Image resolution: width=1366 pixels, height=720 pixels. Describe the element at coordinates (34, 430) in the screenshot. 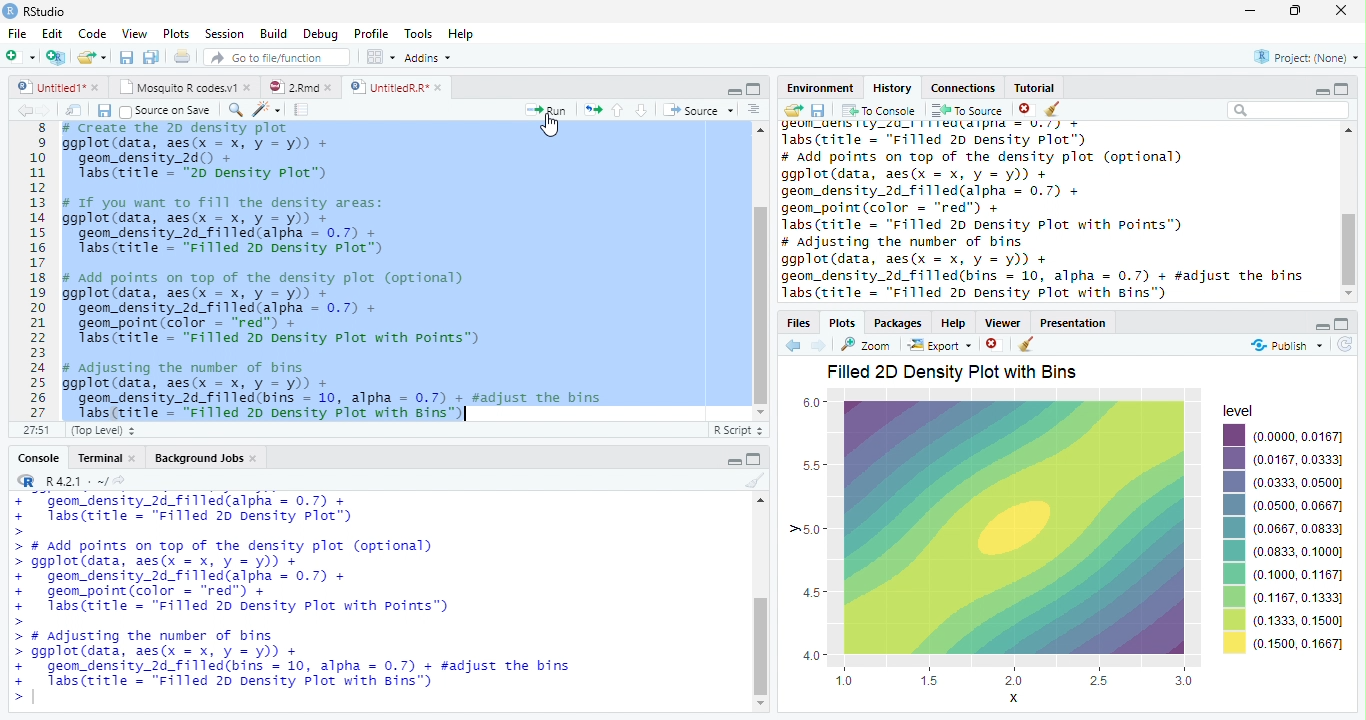

I see `27:51` at that location.